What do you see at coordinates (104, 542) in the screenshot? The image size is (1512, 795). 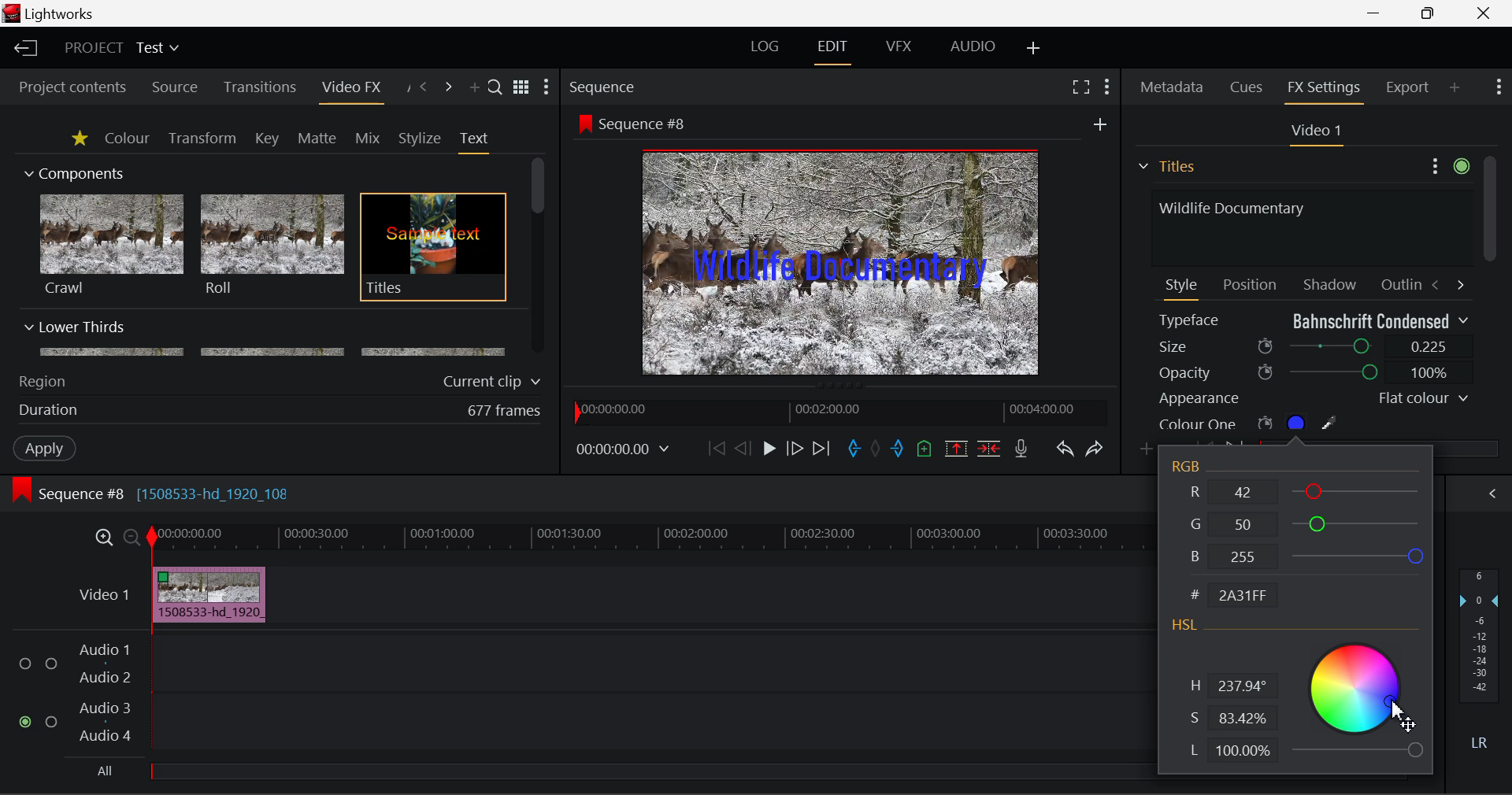 I see `Zoom In Timeline` at bounding box center [104, 542].